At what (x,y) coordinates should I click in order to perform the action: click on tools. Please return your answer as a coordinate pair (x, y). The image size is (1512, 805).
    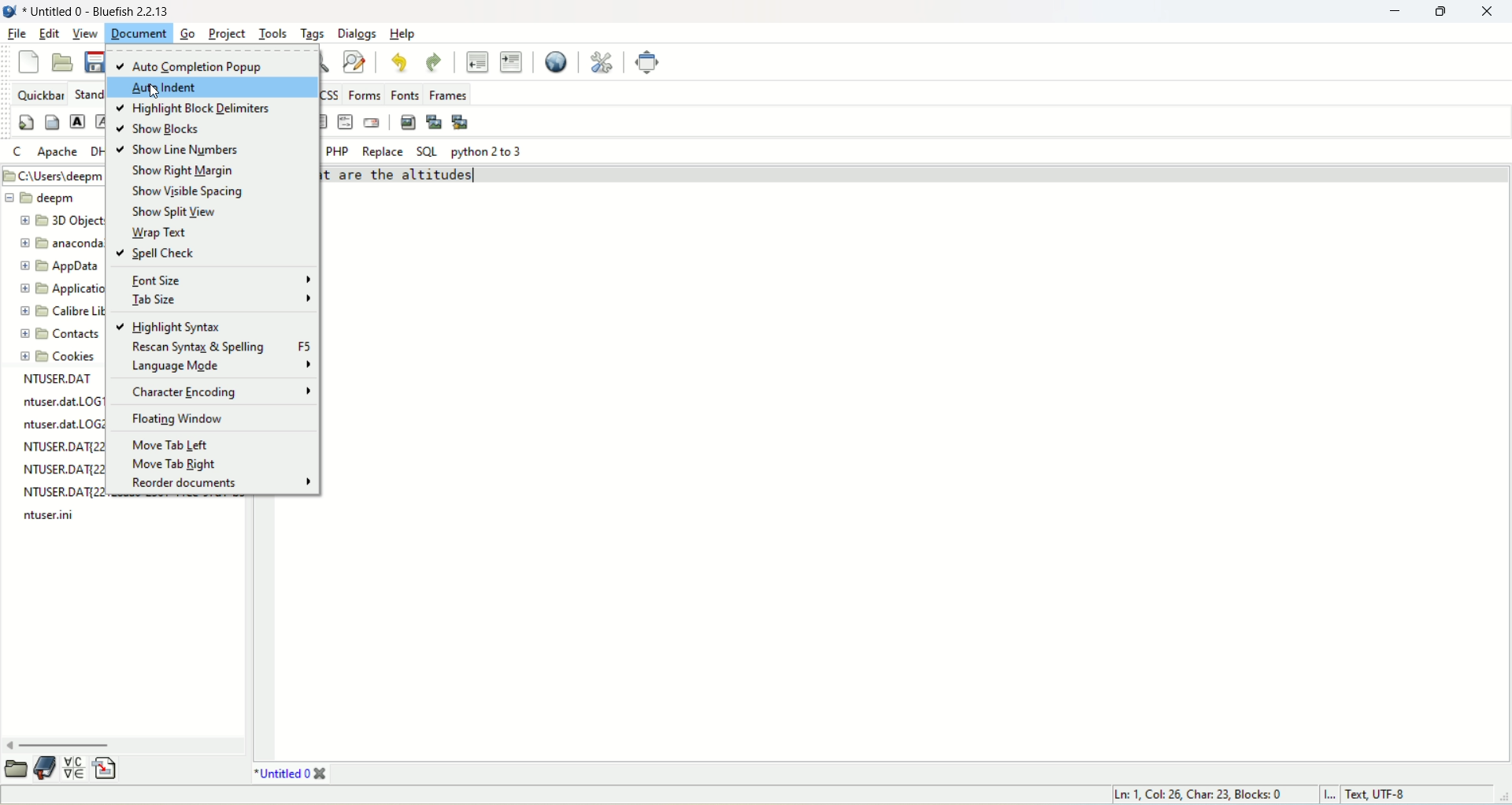
    Looking at the image, I should click on (274, 34).